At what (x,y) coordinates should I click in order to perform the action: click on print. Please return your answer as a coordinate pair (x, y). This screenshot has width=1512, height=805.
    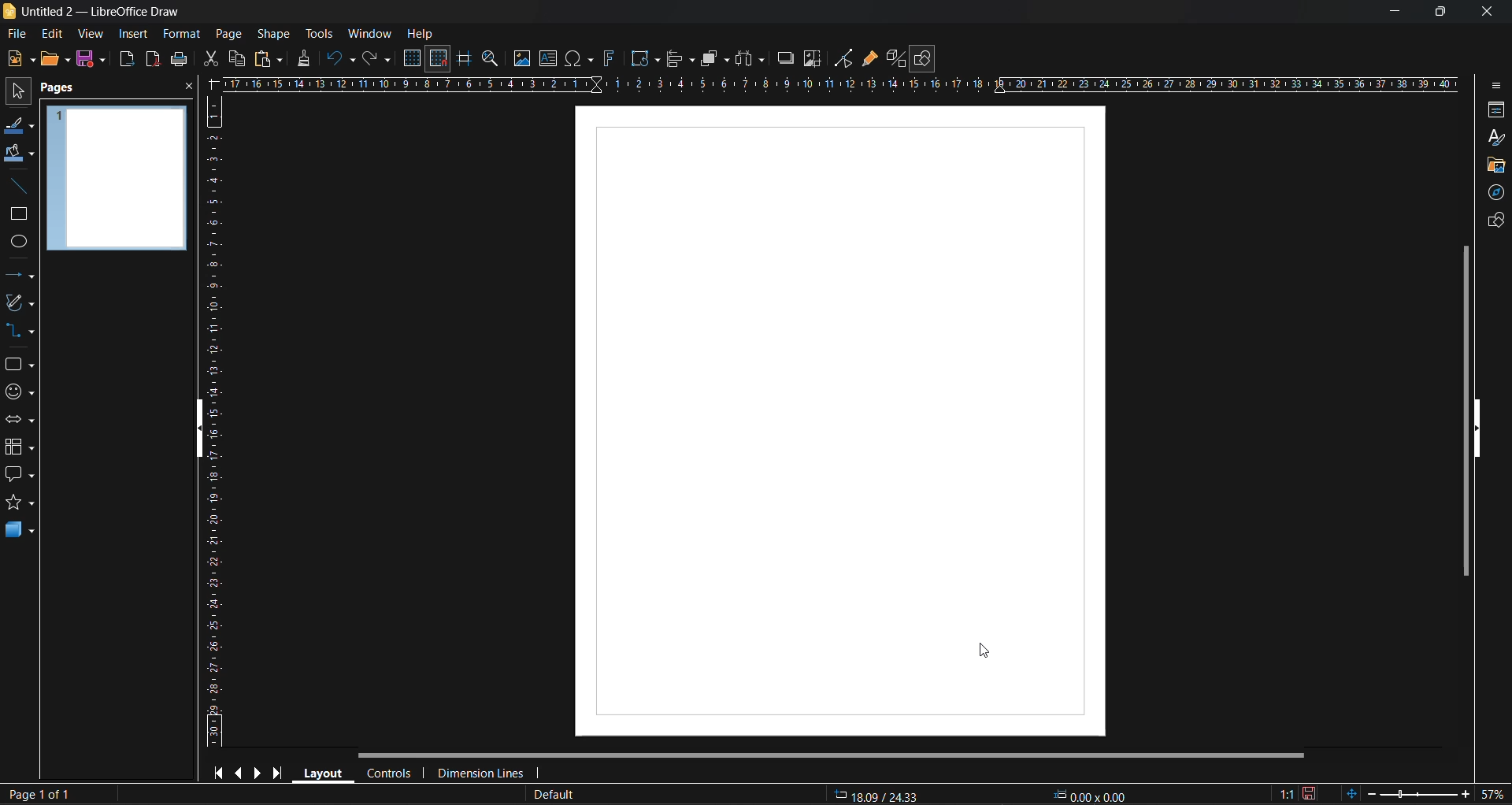
    Looking at the image, I should click on (180, 60).